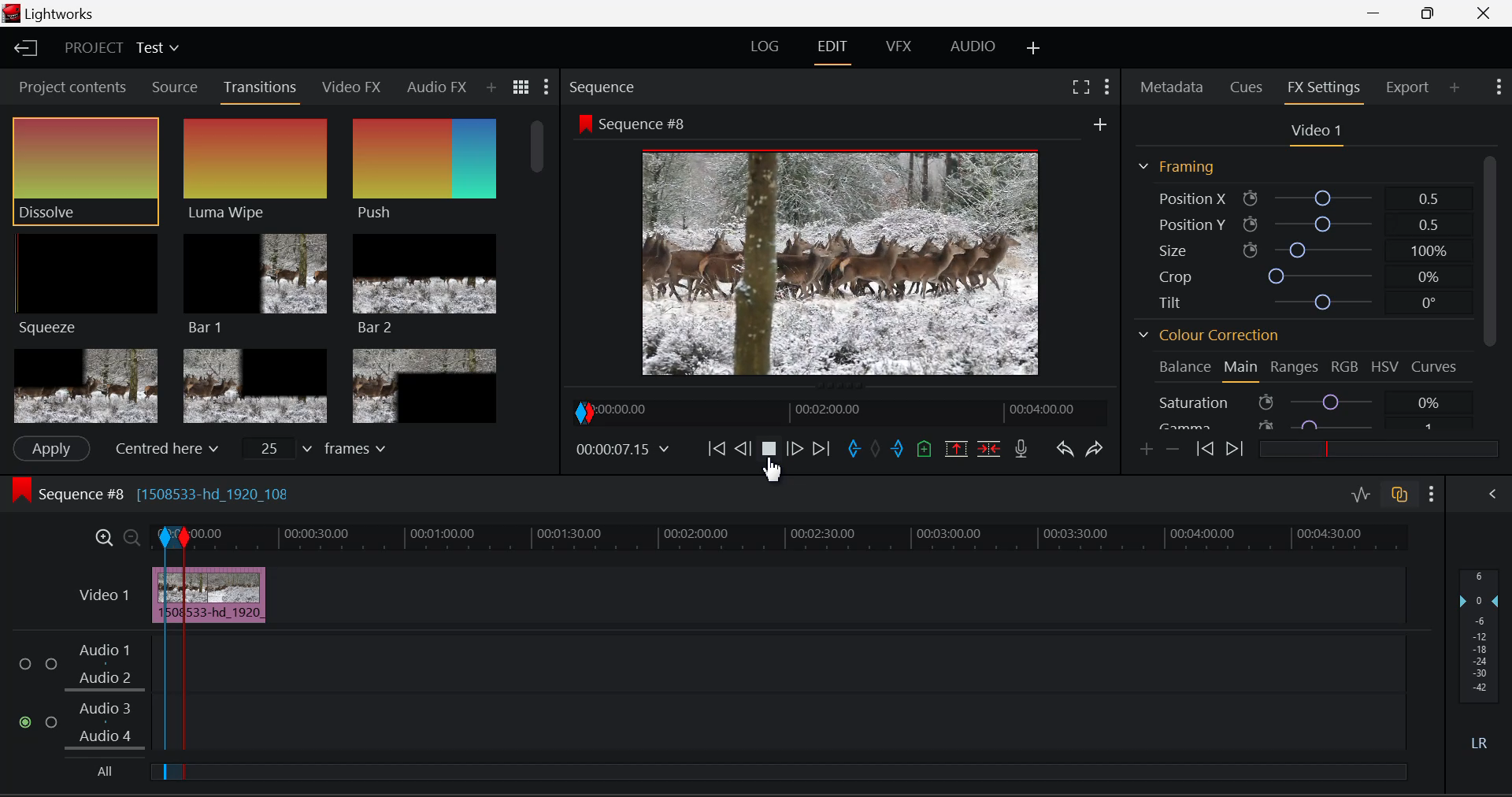 The height and width of the screenshot is (797, 1512). What do you see at coordinates (992, 447) in the screenshot?
I see `Delete/Cut` at bounding box center [992, 447].